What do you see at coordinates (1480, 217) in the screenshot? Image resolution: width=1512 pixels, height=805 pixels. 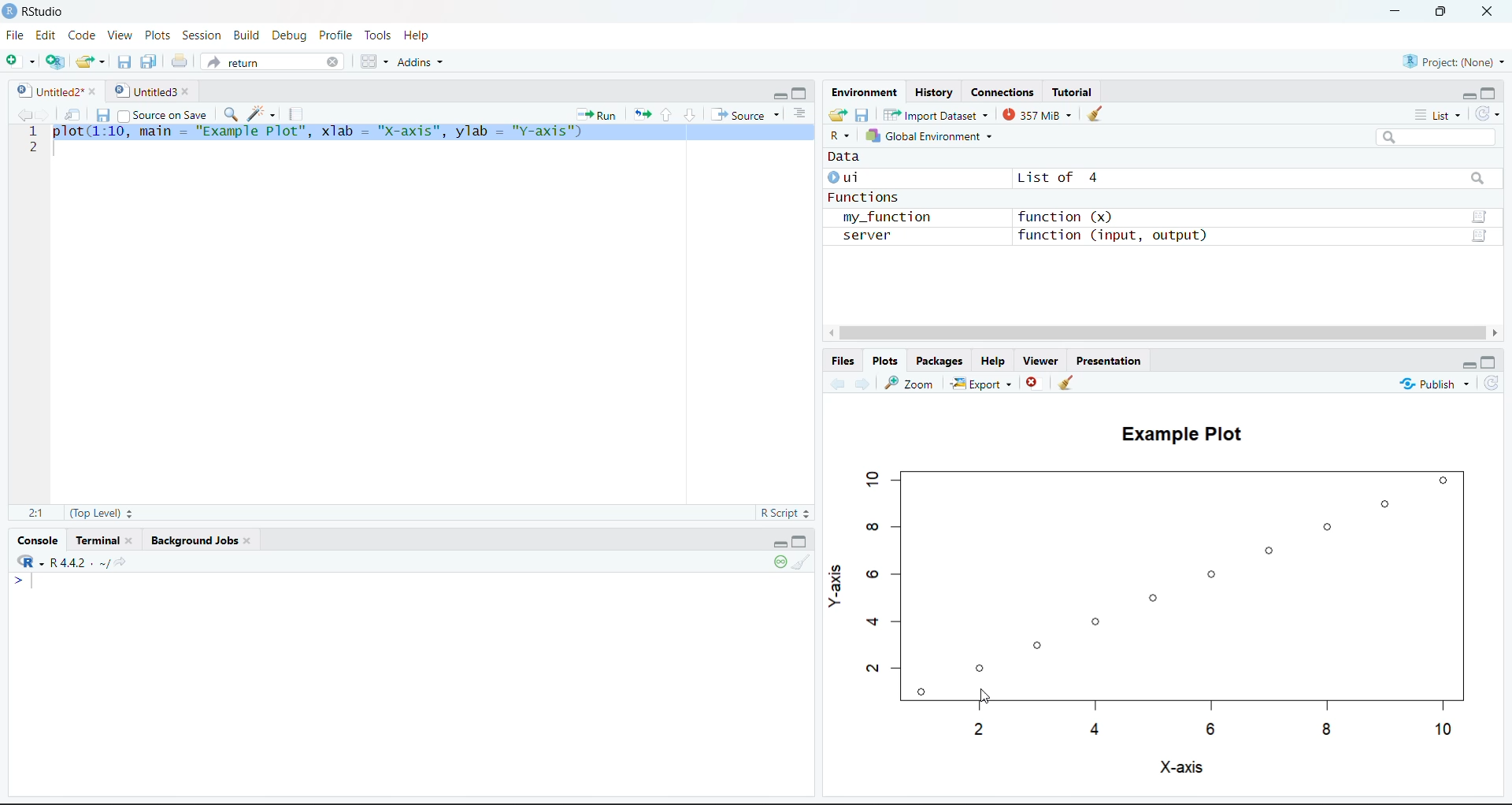 I see `Data/Table` at bounding box center [1480, 217].